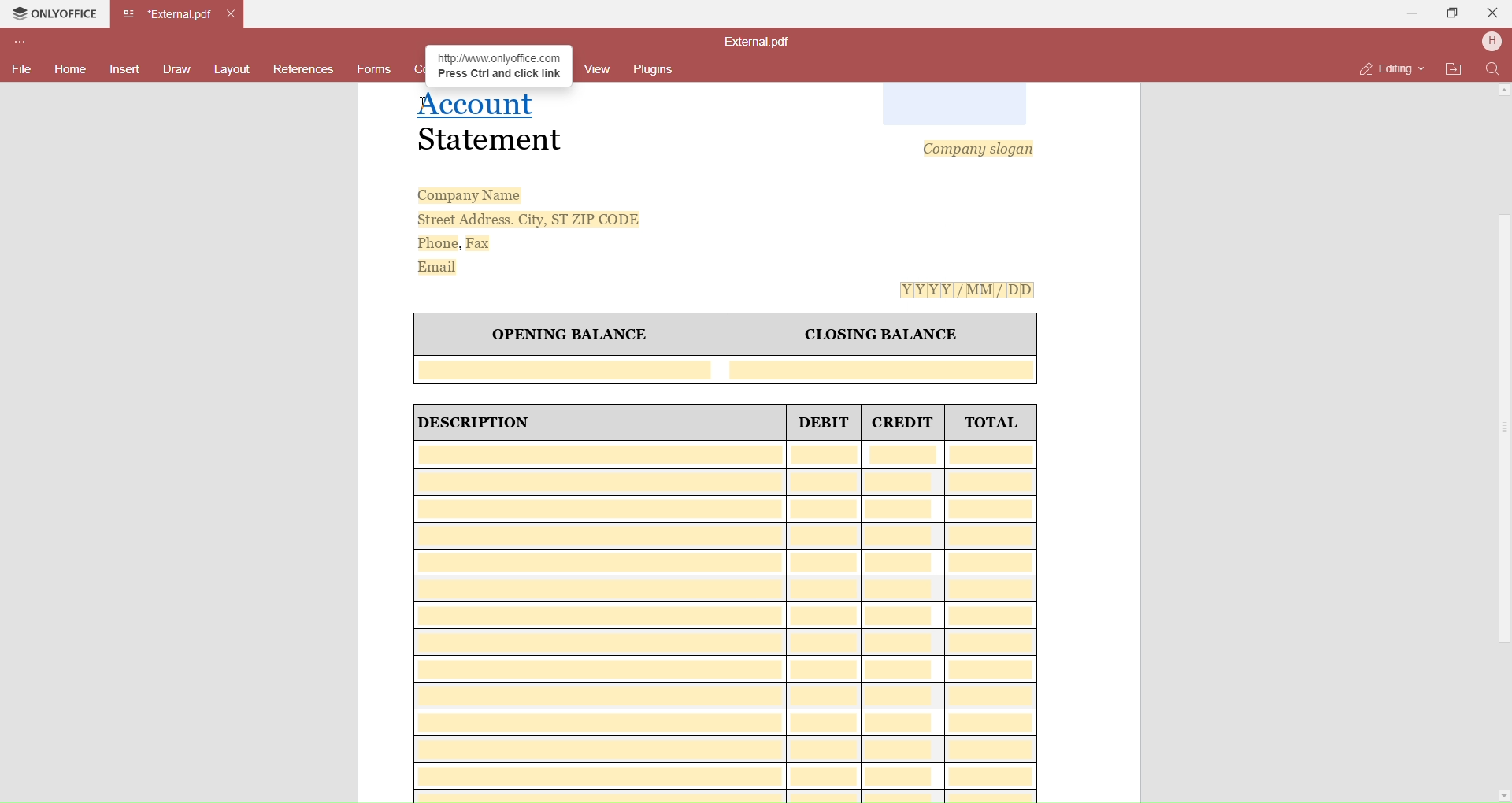 The width and height of the screenshot is (1512, 803). I want to click on Customize Toolbar, so click(27, 42).